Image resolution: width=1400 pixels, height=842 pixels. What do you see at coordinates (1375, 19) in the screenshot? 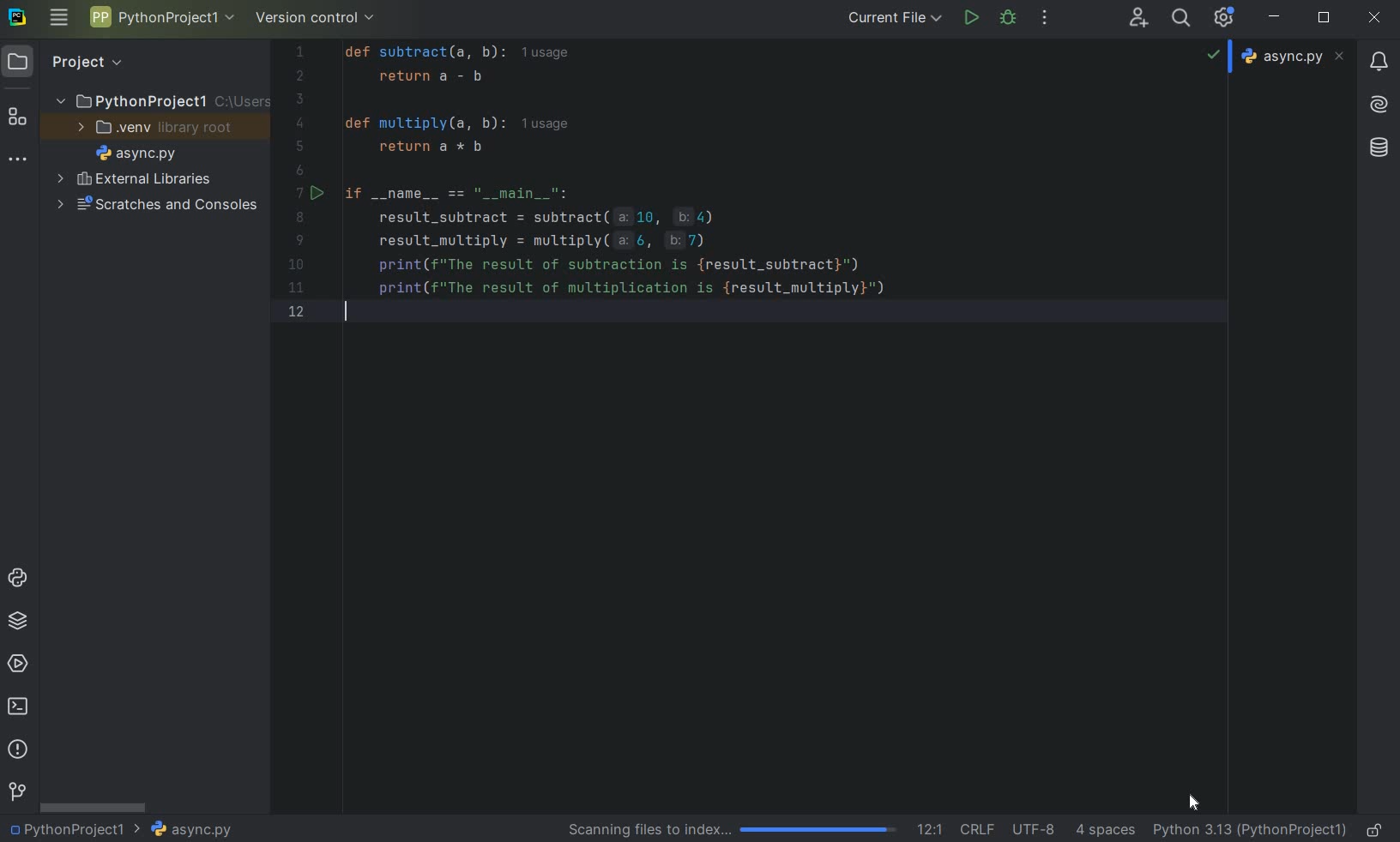
I see `close` at bounding box center [1375, 19].